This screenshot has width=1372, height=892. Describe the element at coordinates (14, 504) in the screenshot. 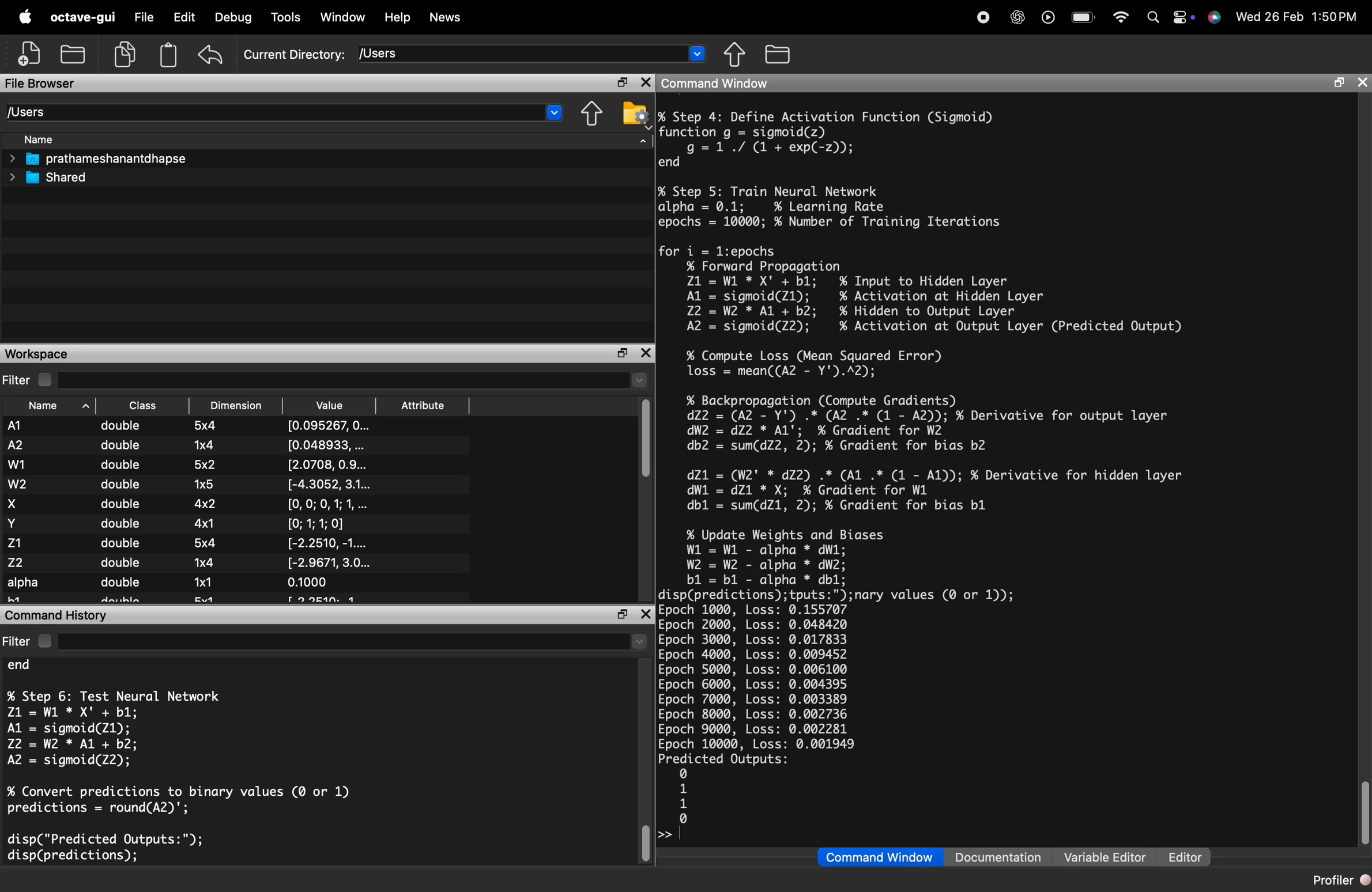

I see `X` at that location.